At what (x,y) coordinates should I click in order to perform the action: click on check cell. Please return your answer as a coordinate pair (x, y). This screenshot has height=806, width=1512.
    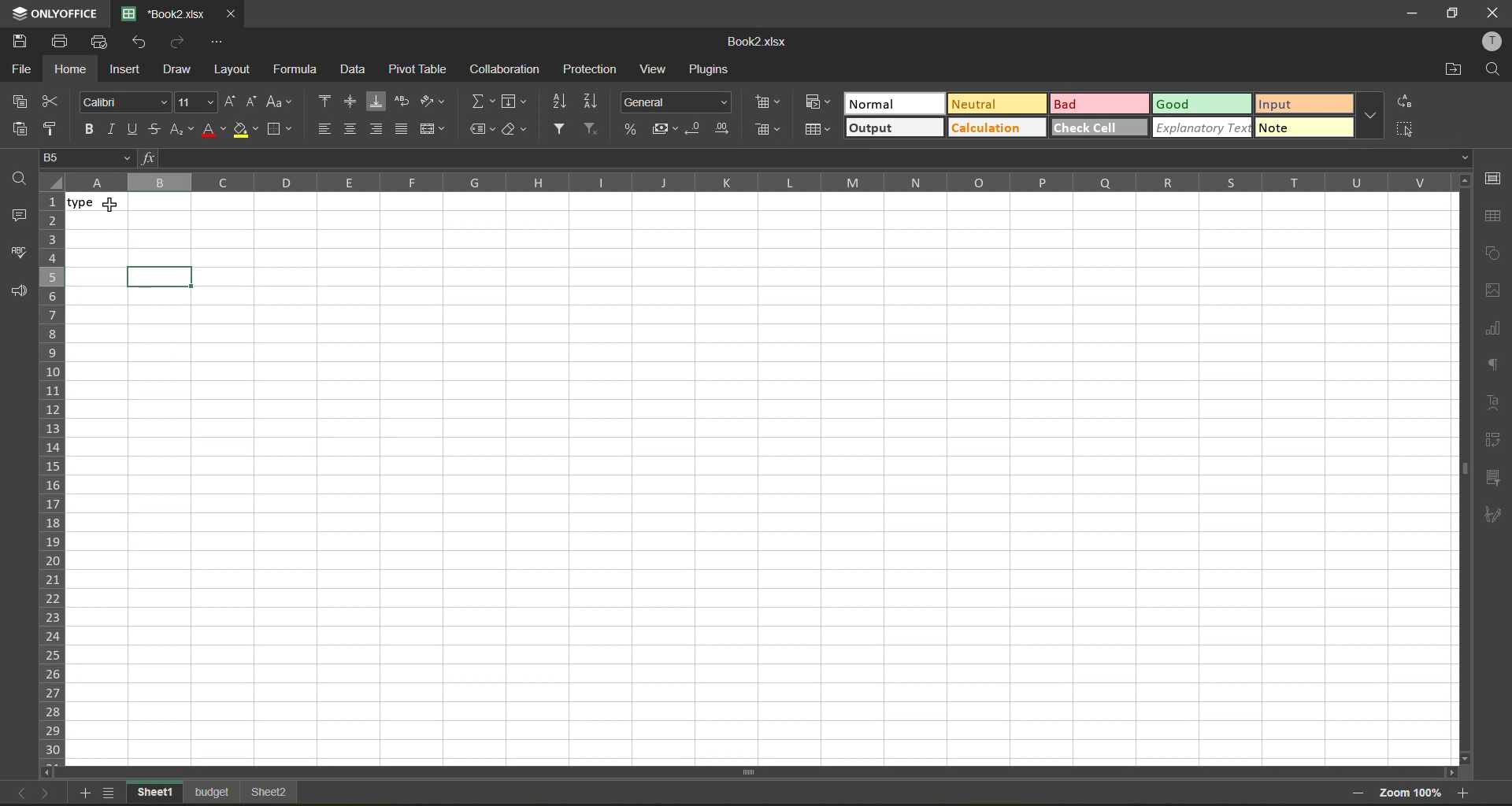
    Looking at the image, I should click on (1101, 128).